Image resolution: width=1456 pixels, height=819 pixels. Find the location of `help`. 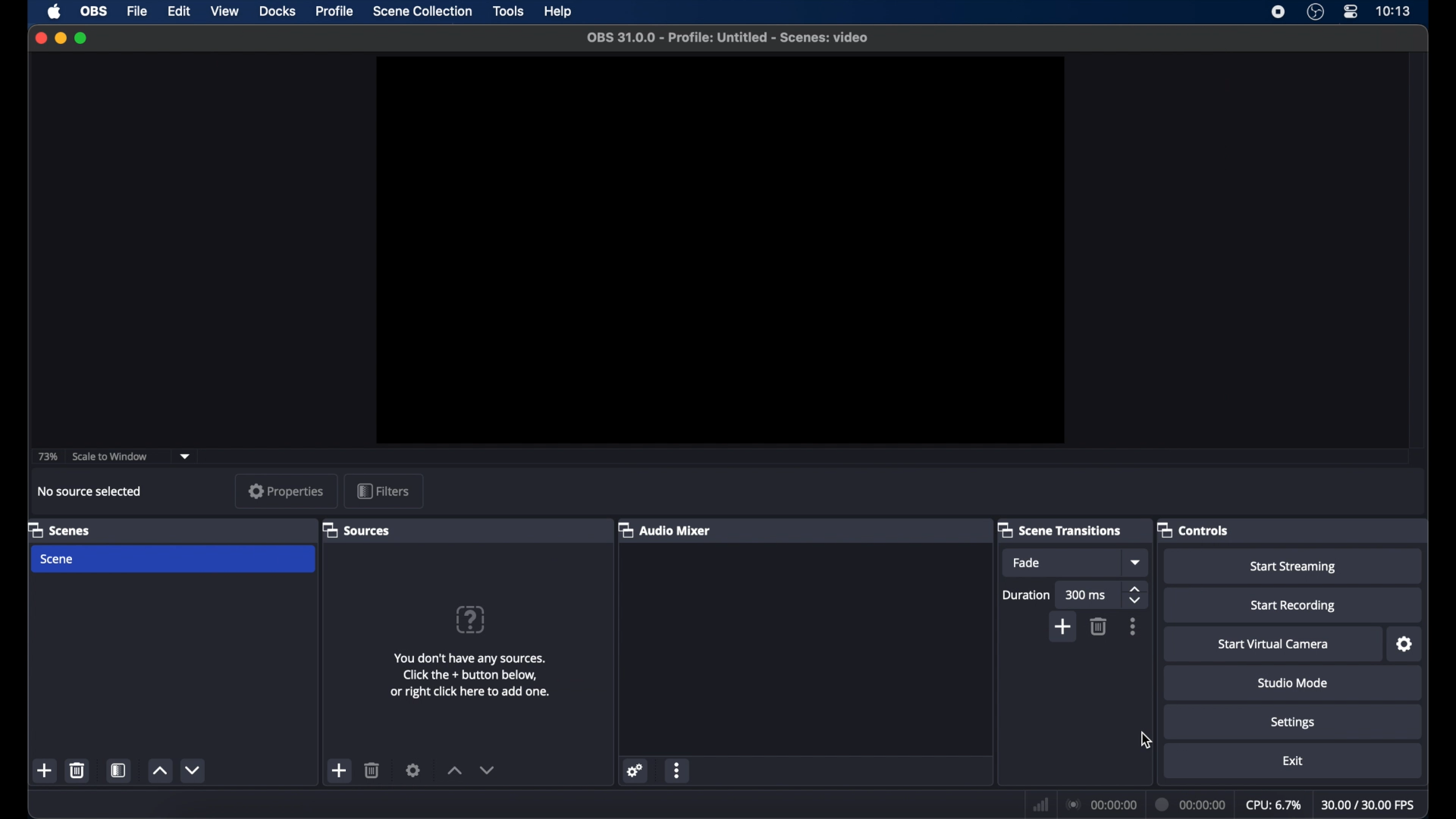

help is located at coordinates (559, 12).